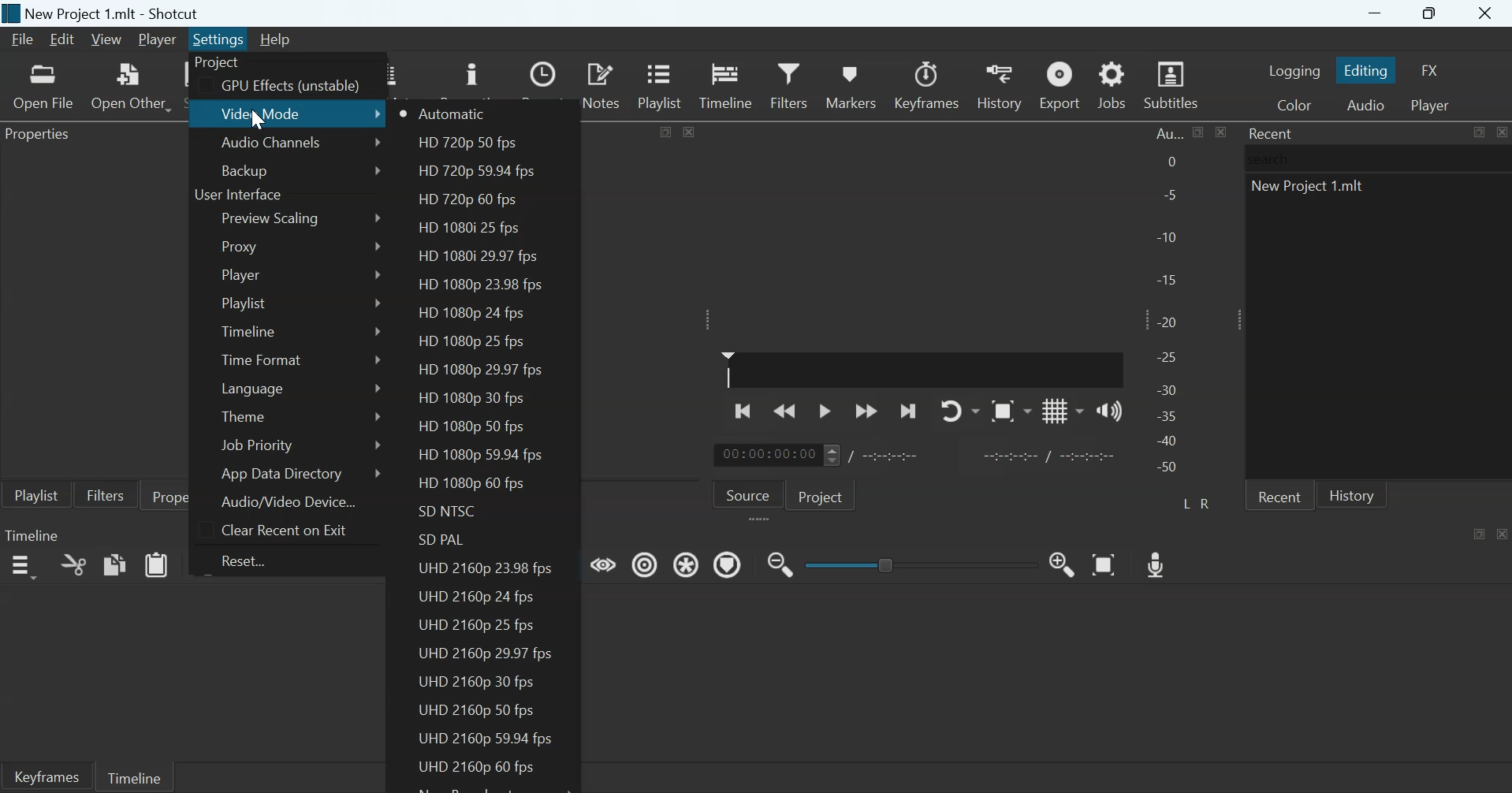 The image size is (1512, 793). I want to click on SD NTSC, so click(449, 512).